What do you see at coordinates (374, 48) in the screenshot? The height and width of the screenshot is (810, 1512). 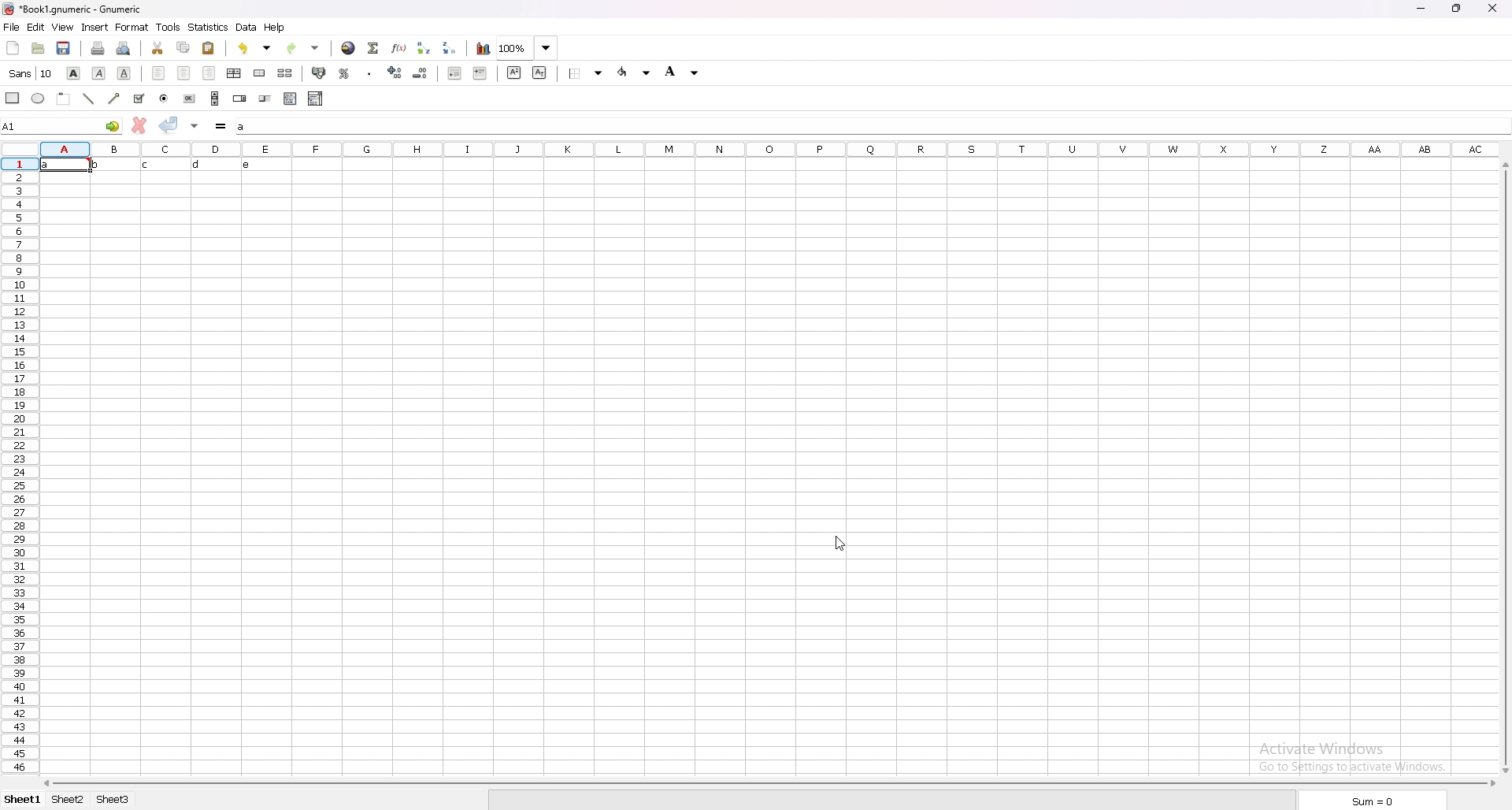 I see `summation` at bounding box center [374, 48].